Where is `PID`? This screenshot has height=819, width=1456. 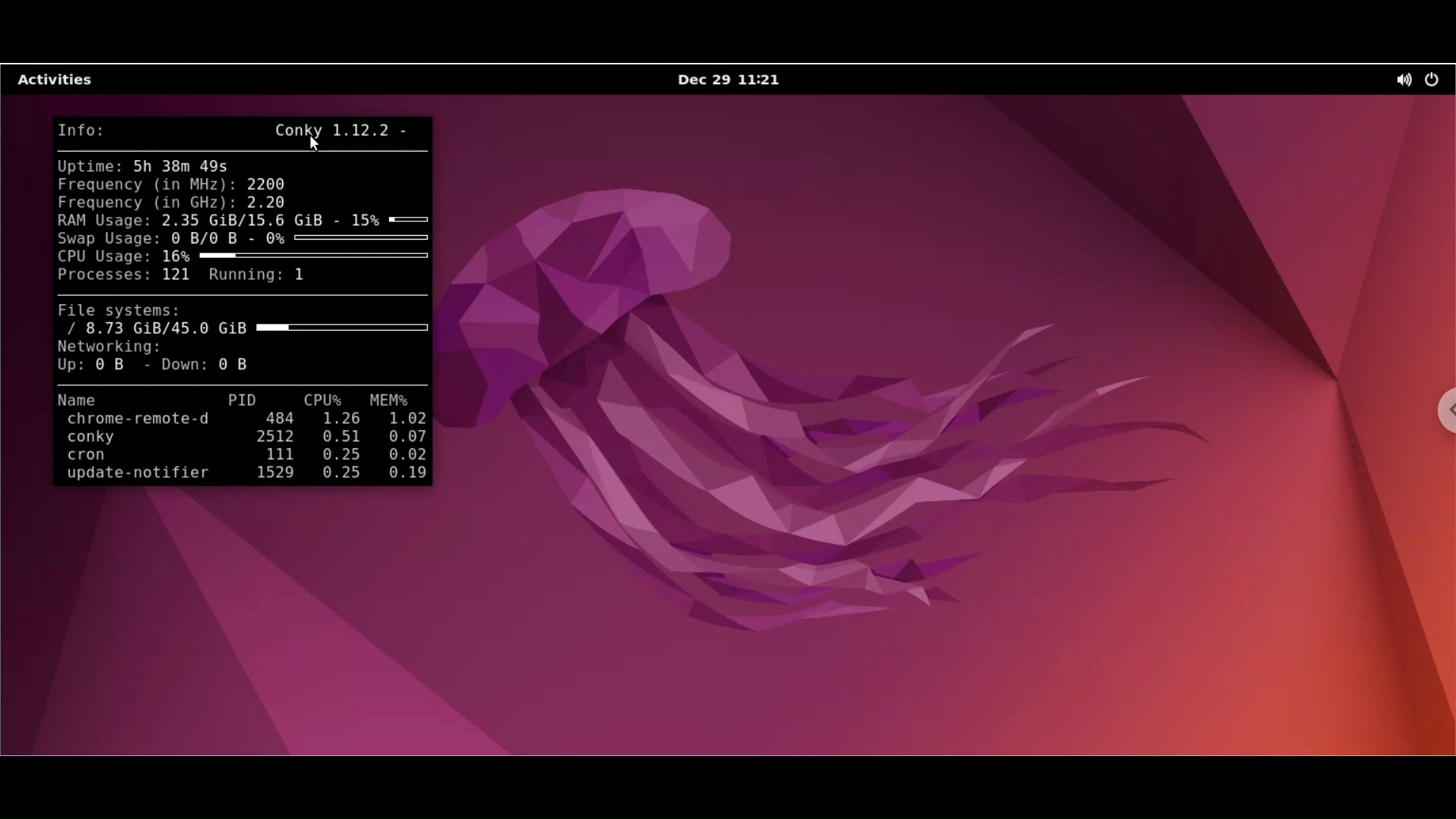 PID is located at coordinates (243, 400).